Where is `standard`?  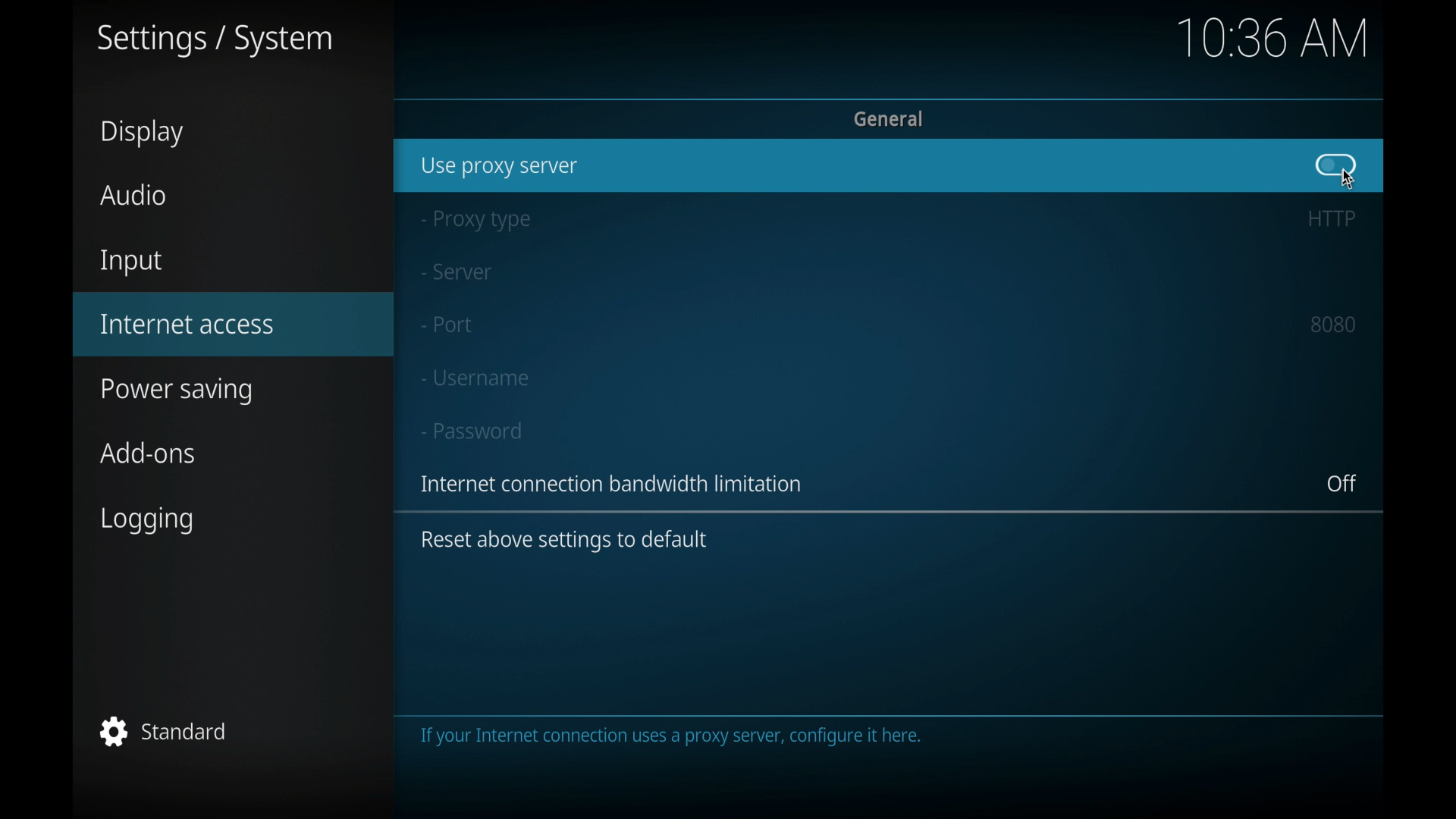 standard is located at coordinates (163, 731).